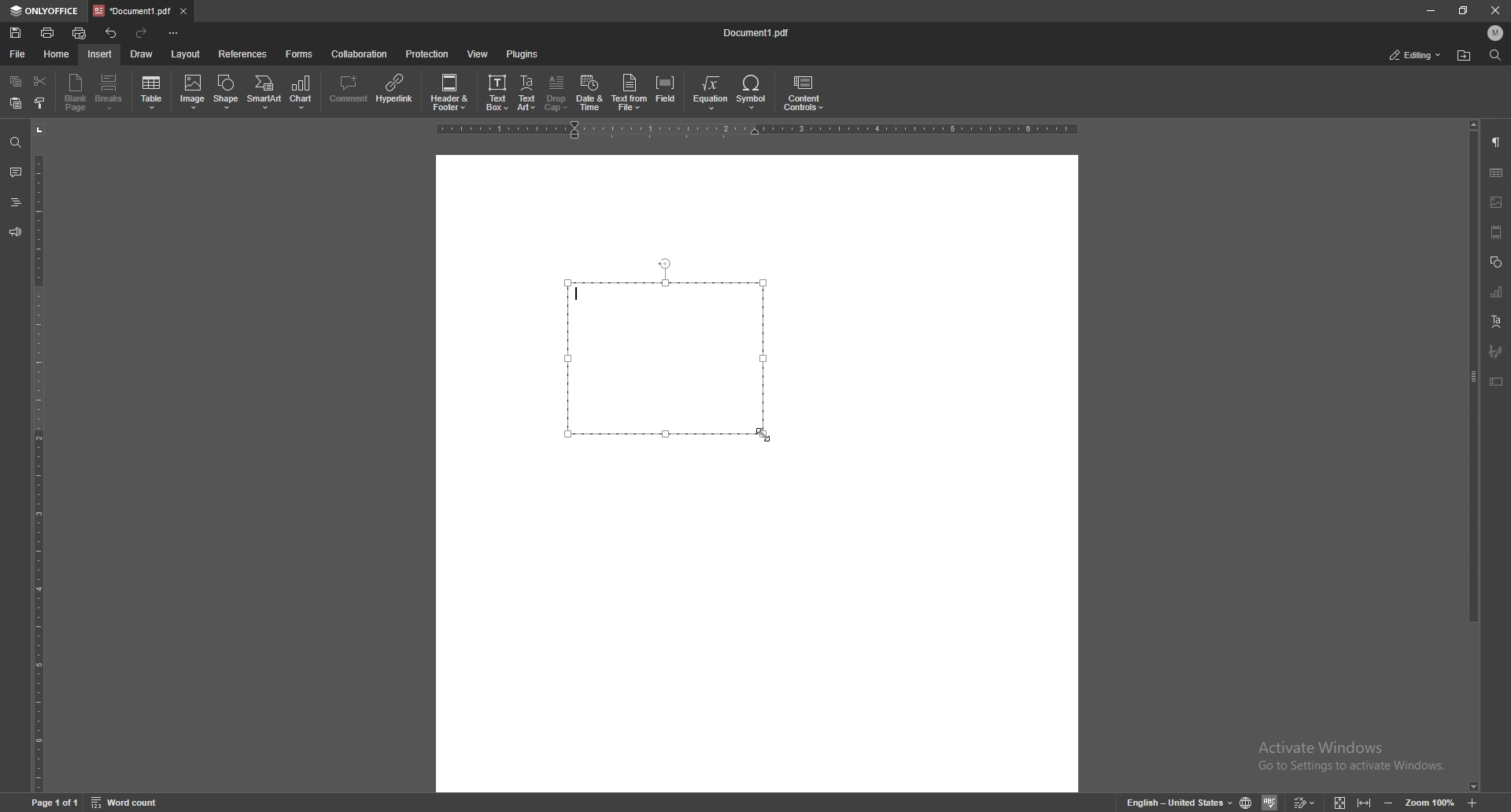 This screenshot has width=1511, height=812. What do you see at coordinates (127, 803) in the screenshot?
I see `word count` at bounding box center [127, 803].